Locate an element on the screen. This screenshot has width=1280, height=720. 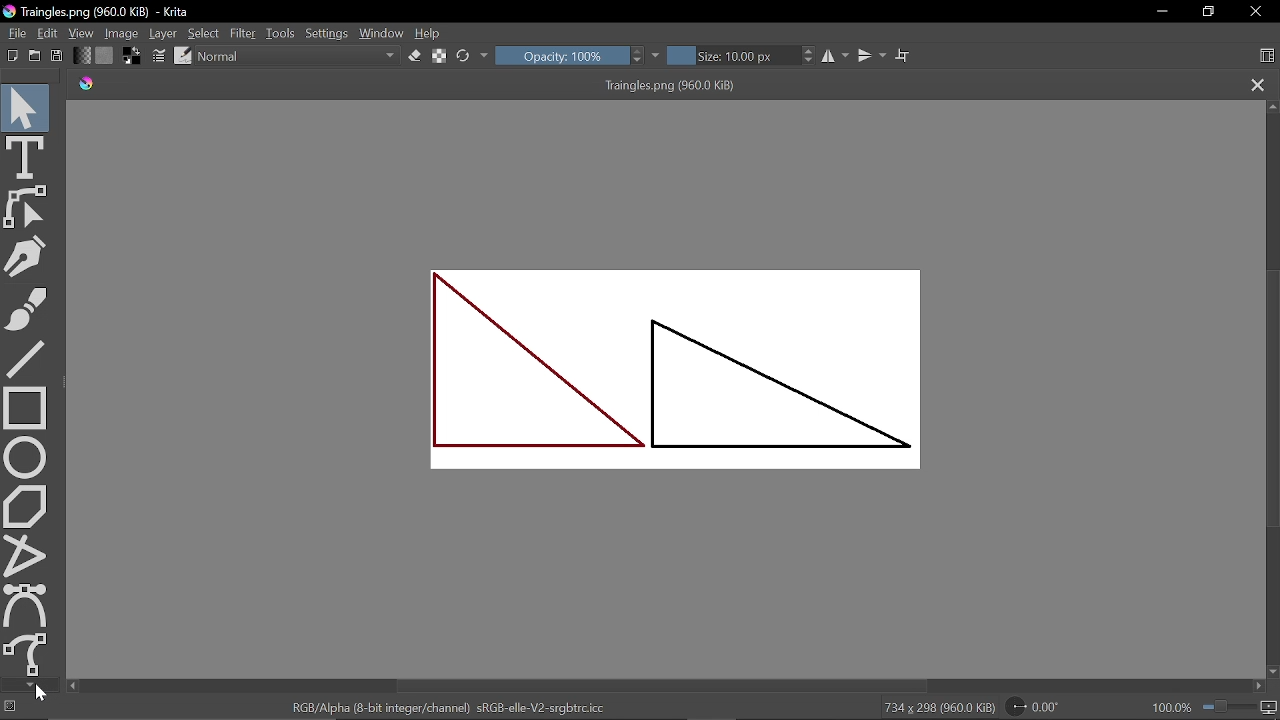
Text tool is located at coordinates (26, 156).